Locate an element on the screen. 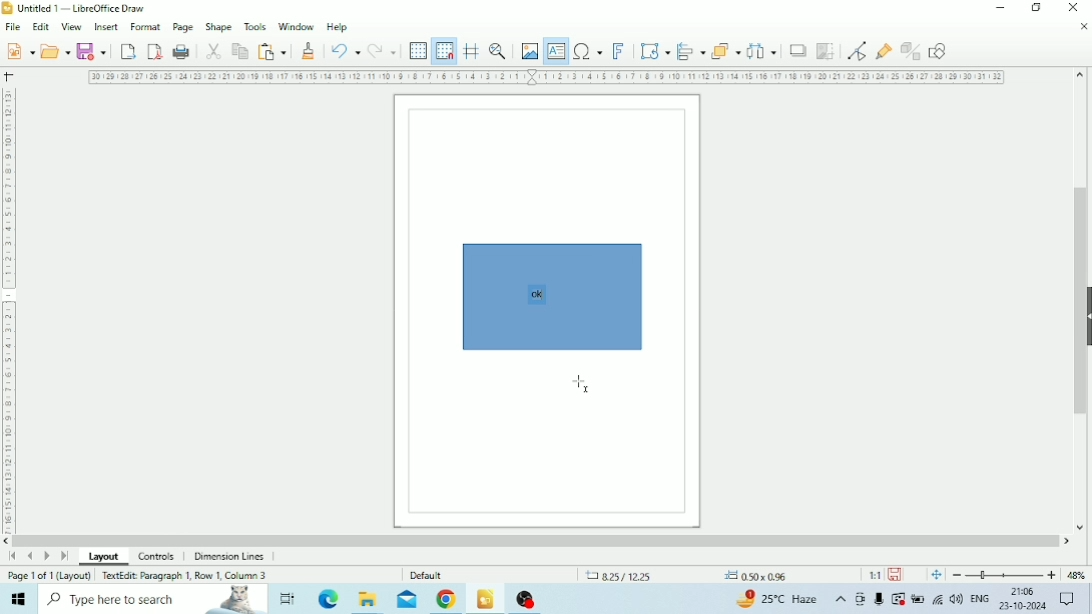  Microsoft Edge is located at coordinates (327, 600).